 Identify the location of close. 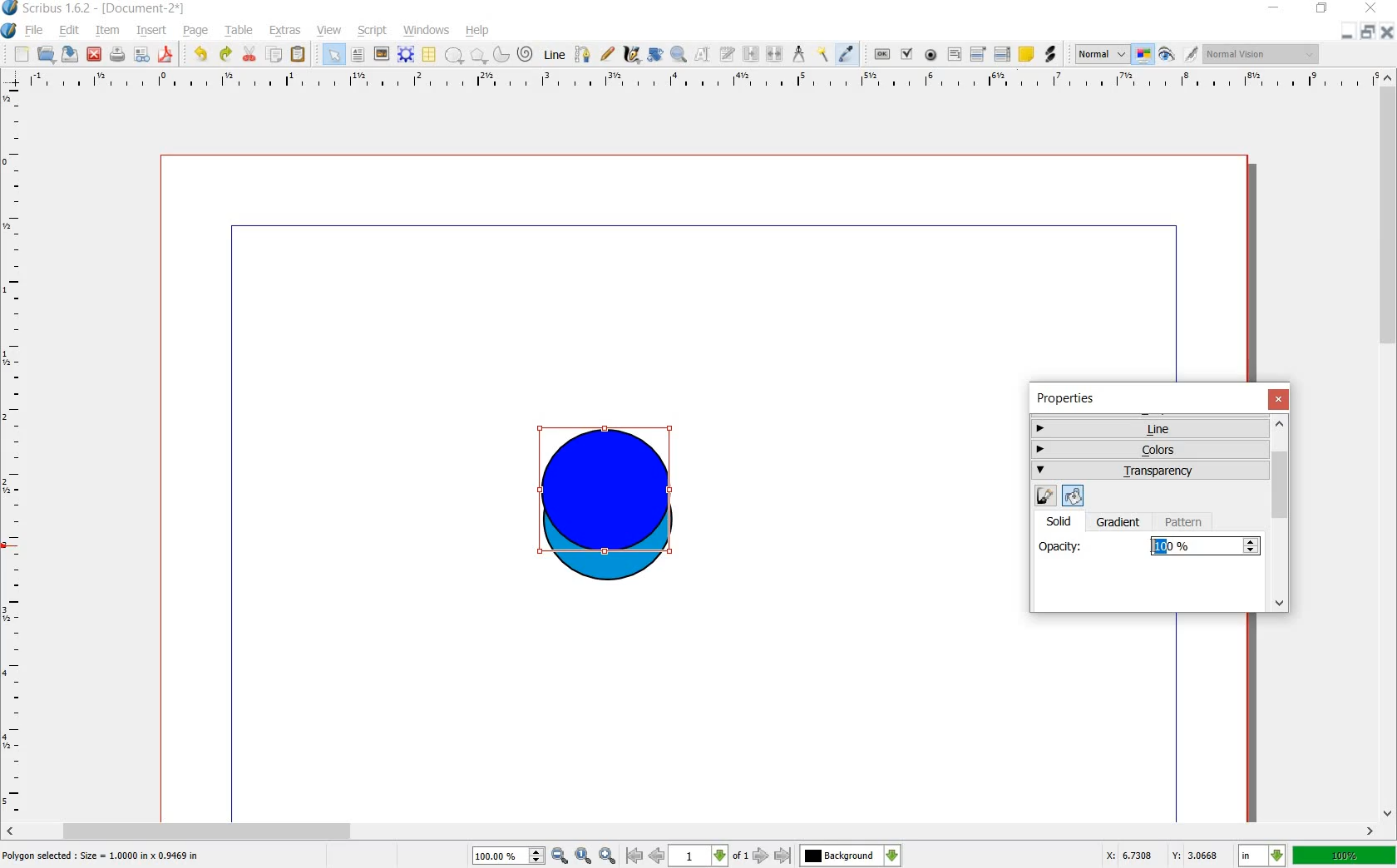
(1281, 399).